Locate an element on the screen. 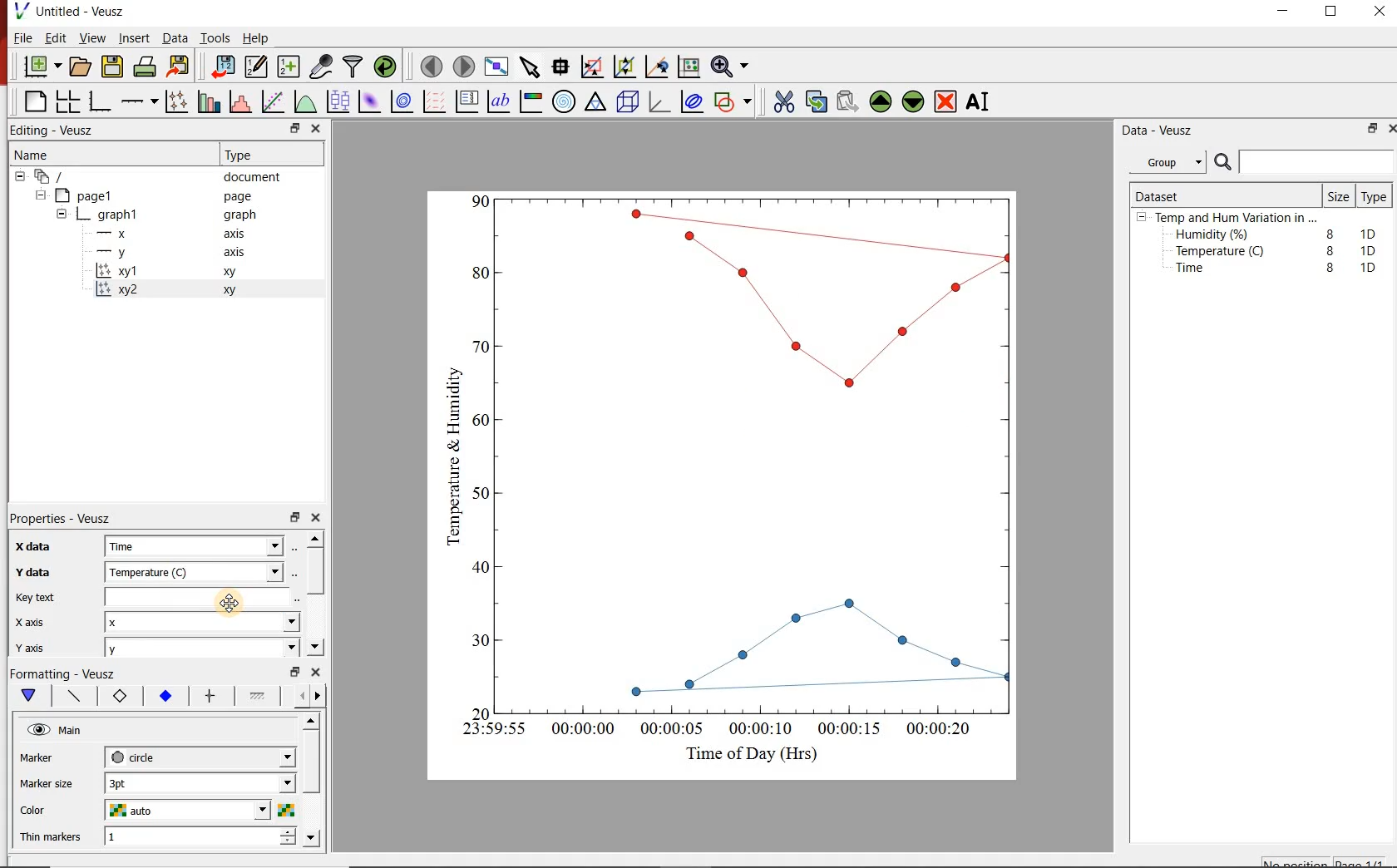 The width and height of the screenshot is (1397, 868). Data is located at coordinates (171, 38).